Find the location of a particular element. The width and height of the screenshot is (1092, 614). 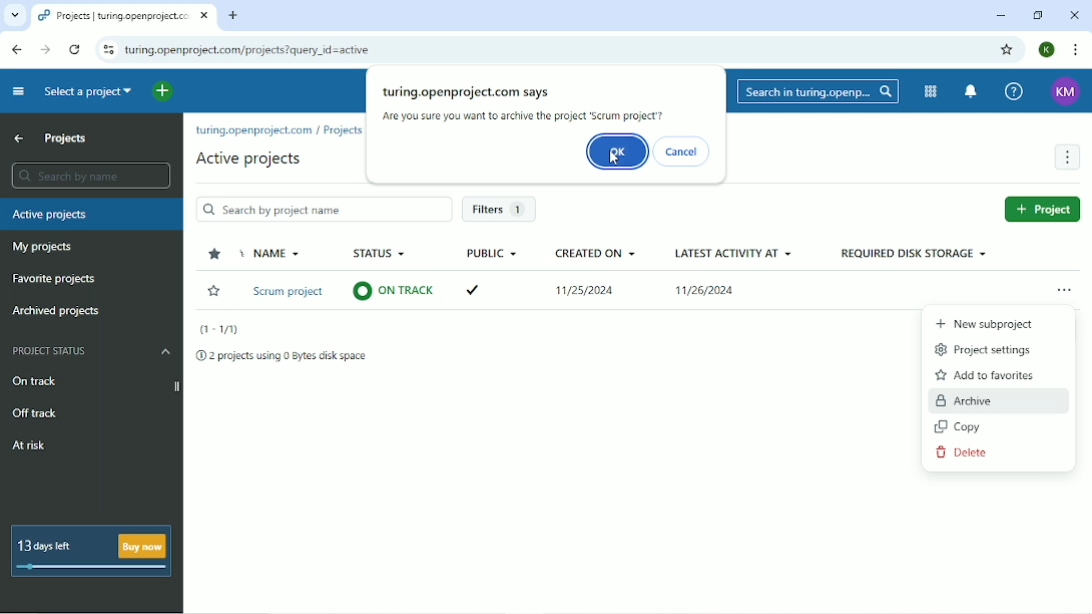

Add to favorites is located at coordinates (987, 375).